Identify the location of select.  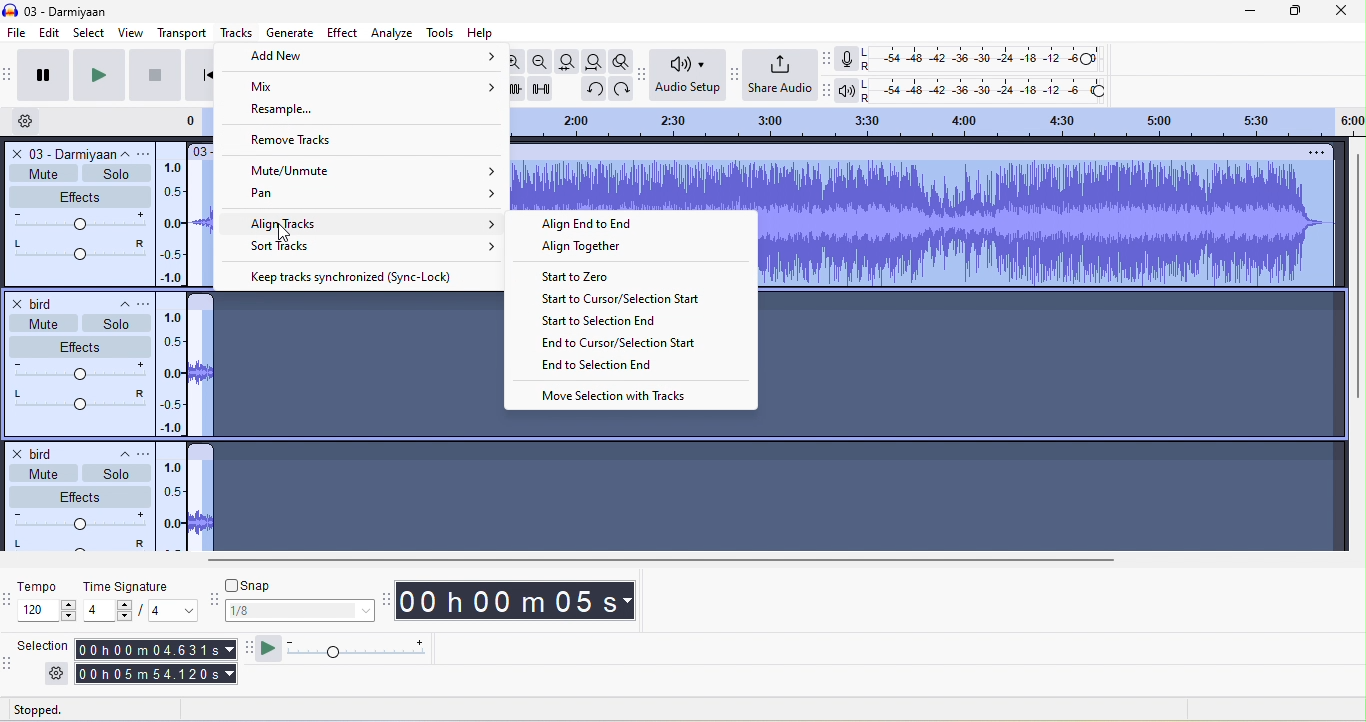
(88, 32).